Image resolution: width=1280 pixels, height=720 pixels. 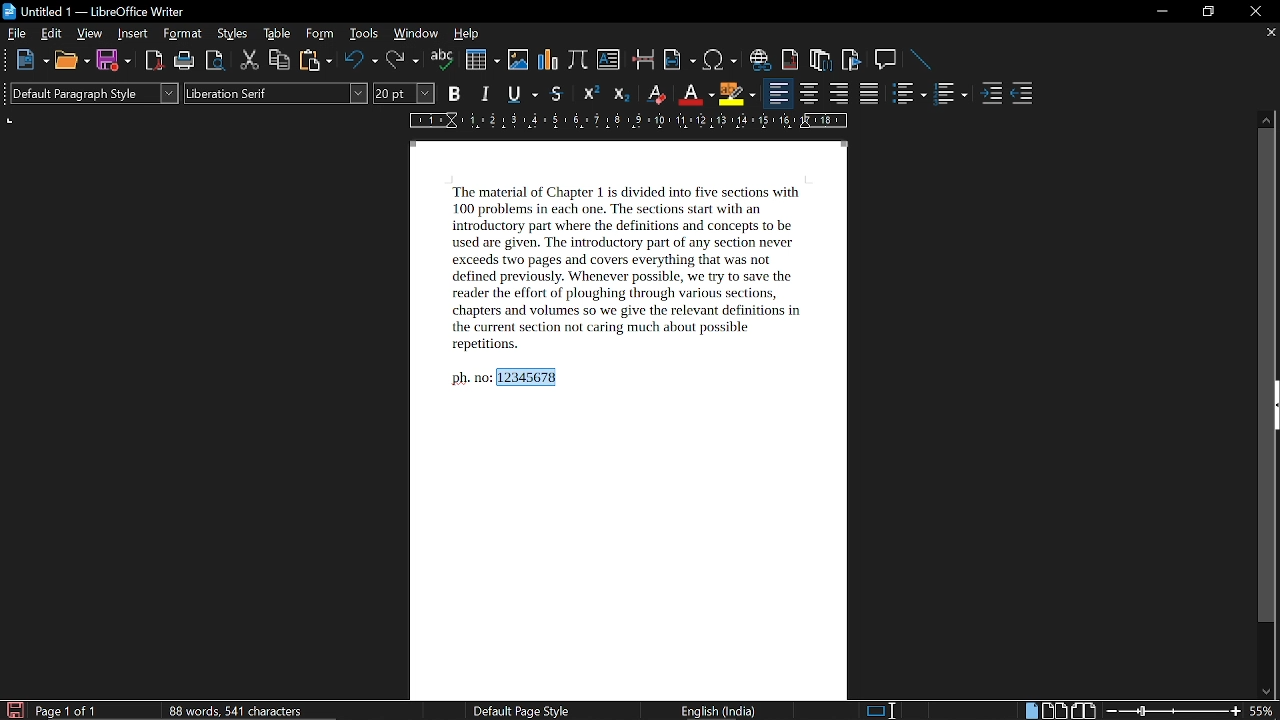 What do you see at coordinates (694, 95) in the screenshot?
I see `font color` at bounding box center [694, 95].